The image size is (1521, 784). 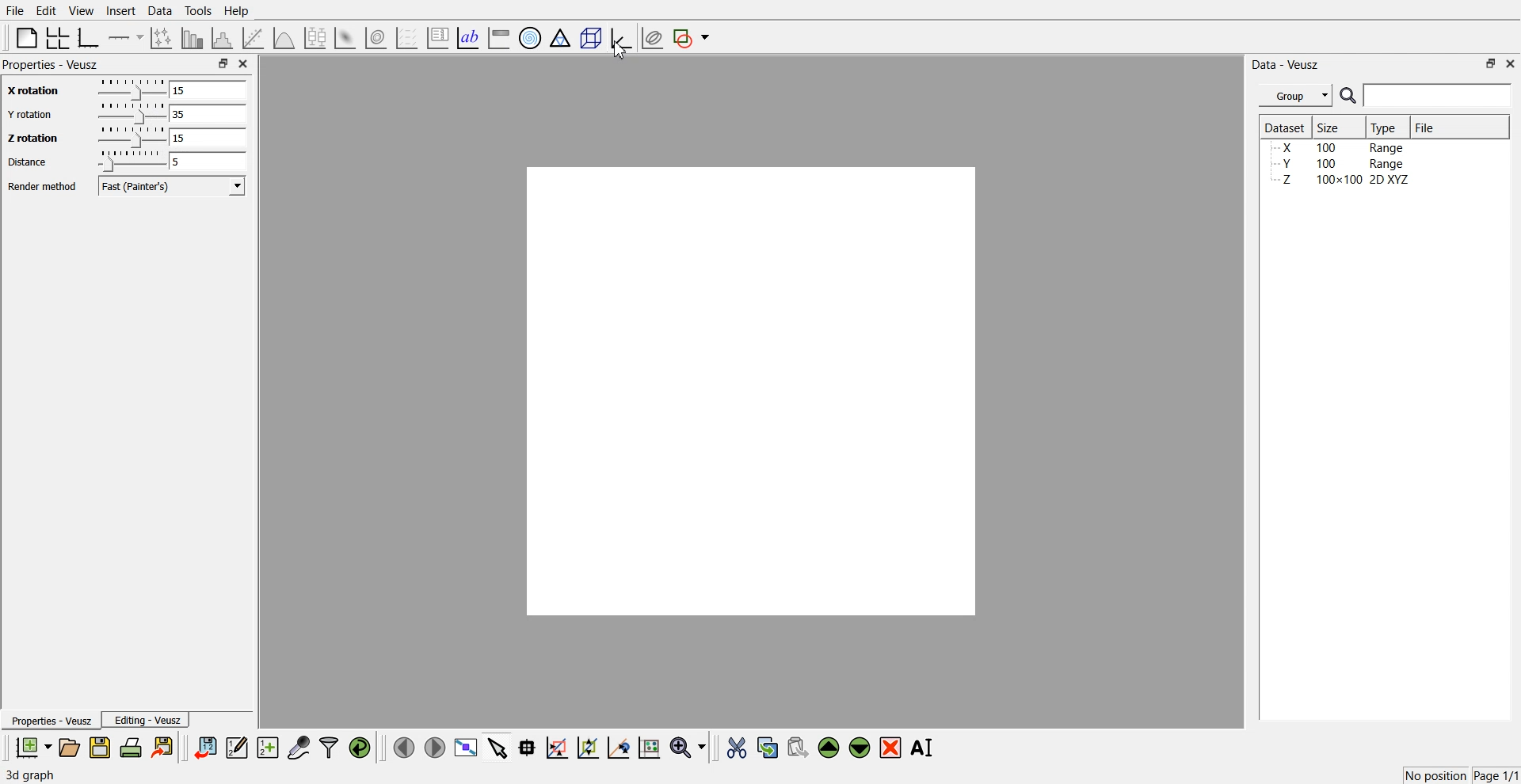 I want to click on 15, so click(x=208, y=137).